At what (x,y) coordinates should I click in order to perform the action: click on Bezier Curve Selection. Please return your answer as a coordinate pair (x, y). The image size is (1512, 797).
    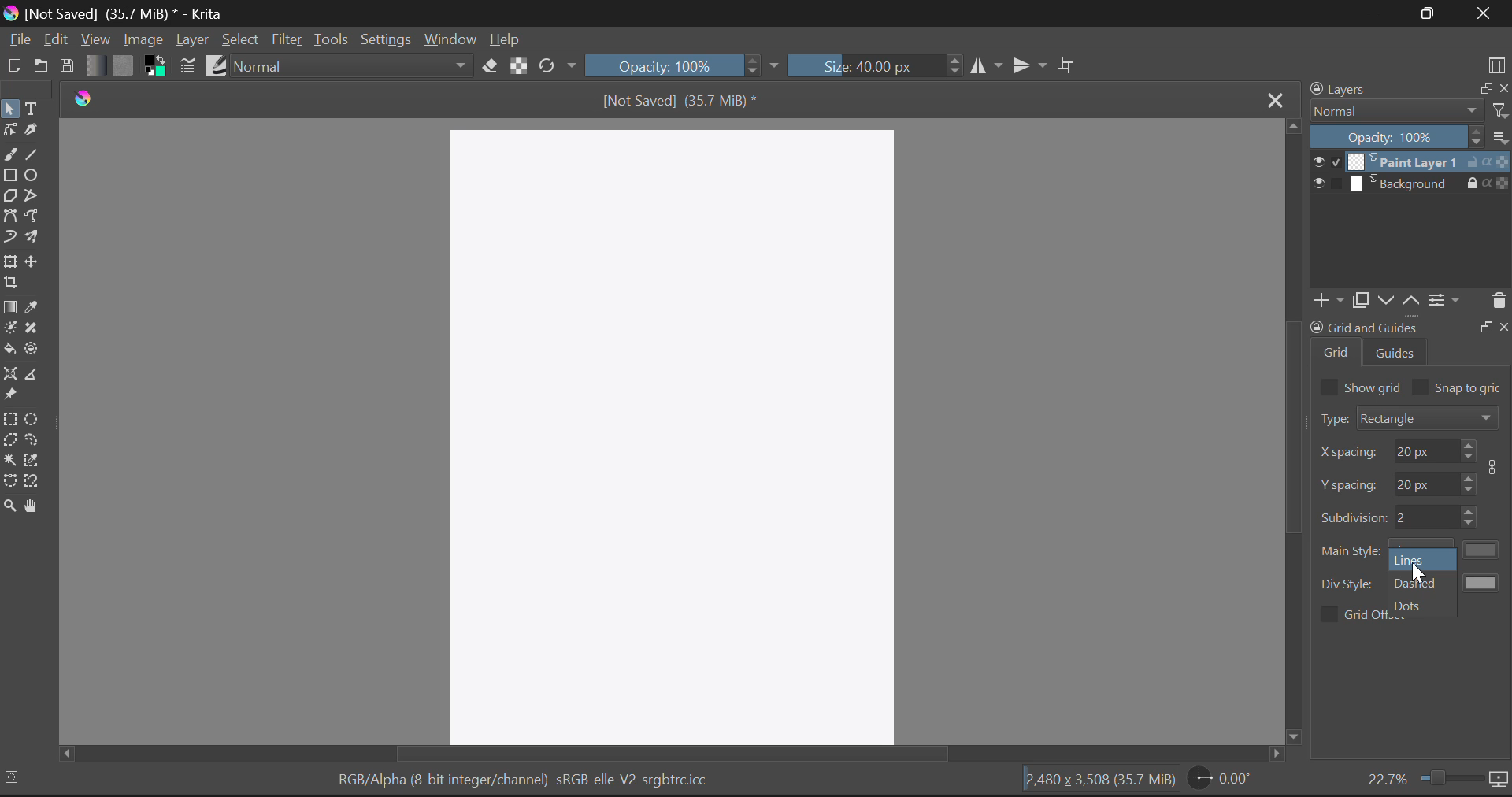
    Looking at the image, I should click on (10, 481).